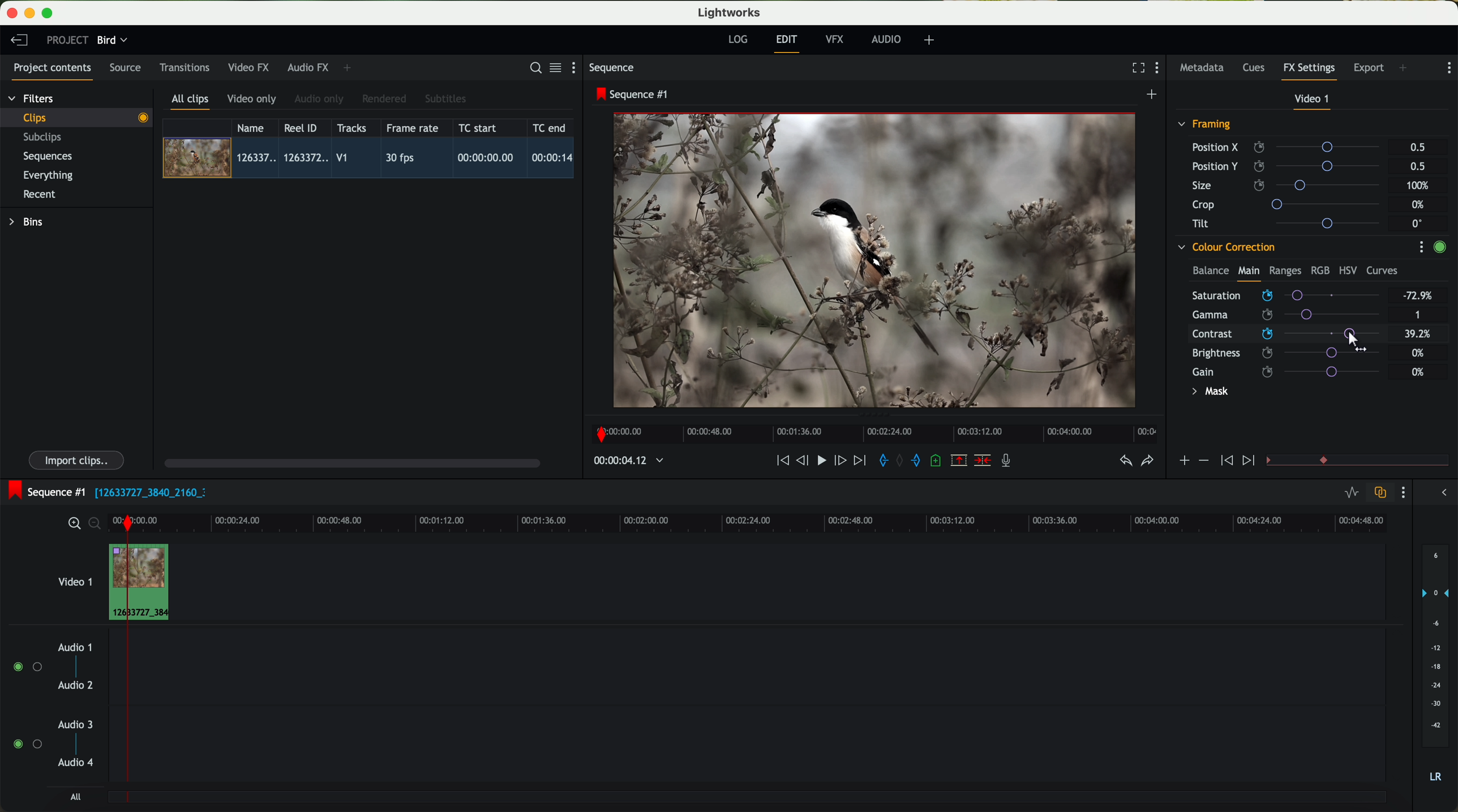 The width and height of the screenshot is (1458, 812). I want to click on show/hide the full audio mix, so click(1440, 493).